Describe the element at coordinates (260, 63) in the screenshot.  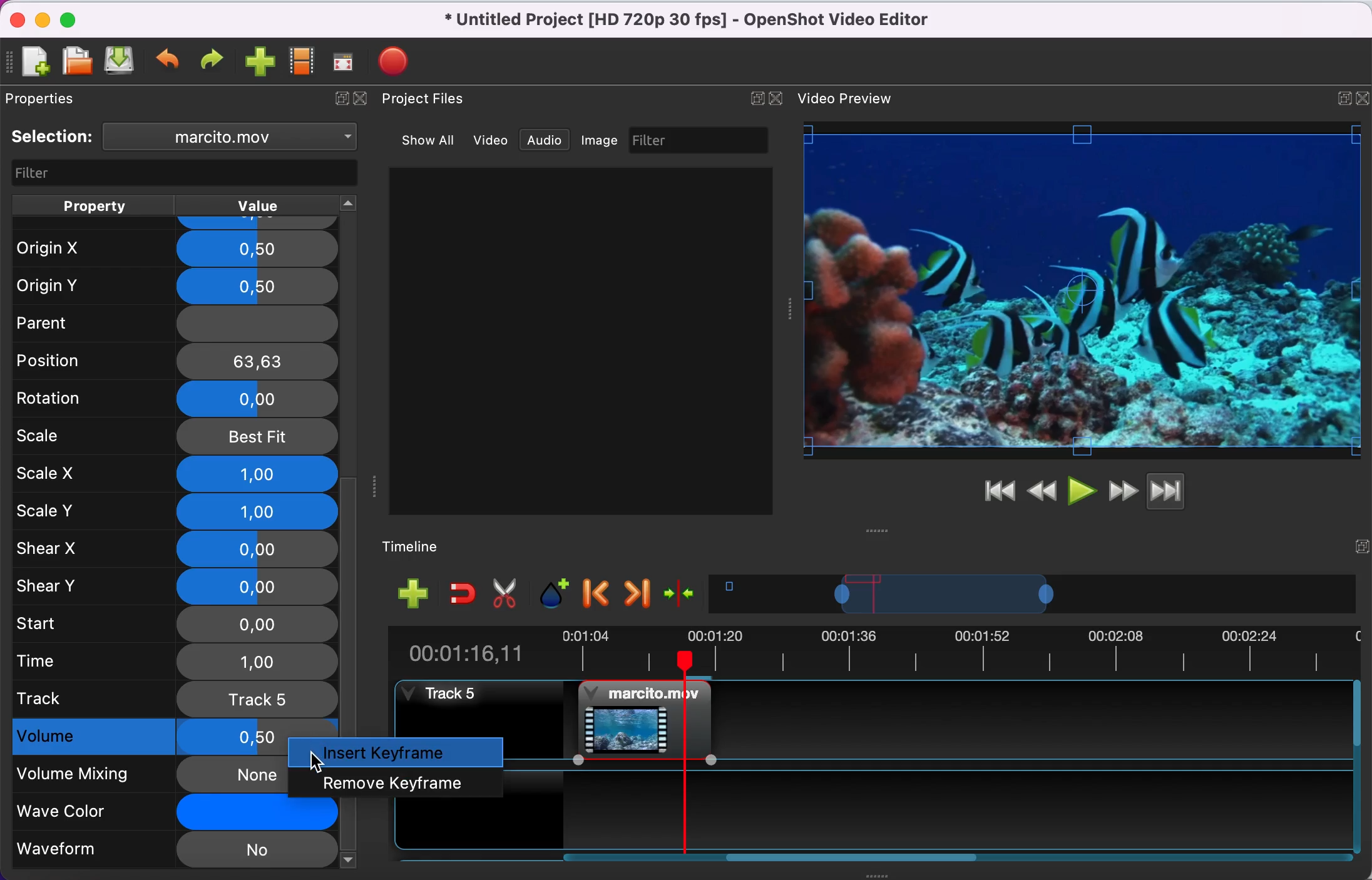
I see `import file` at that location.